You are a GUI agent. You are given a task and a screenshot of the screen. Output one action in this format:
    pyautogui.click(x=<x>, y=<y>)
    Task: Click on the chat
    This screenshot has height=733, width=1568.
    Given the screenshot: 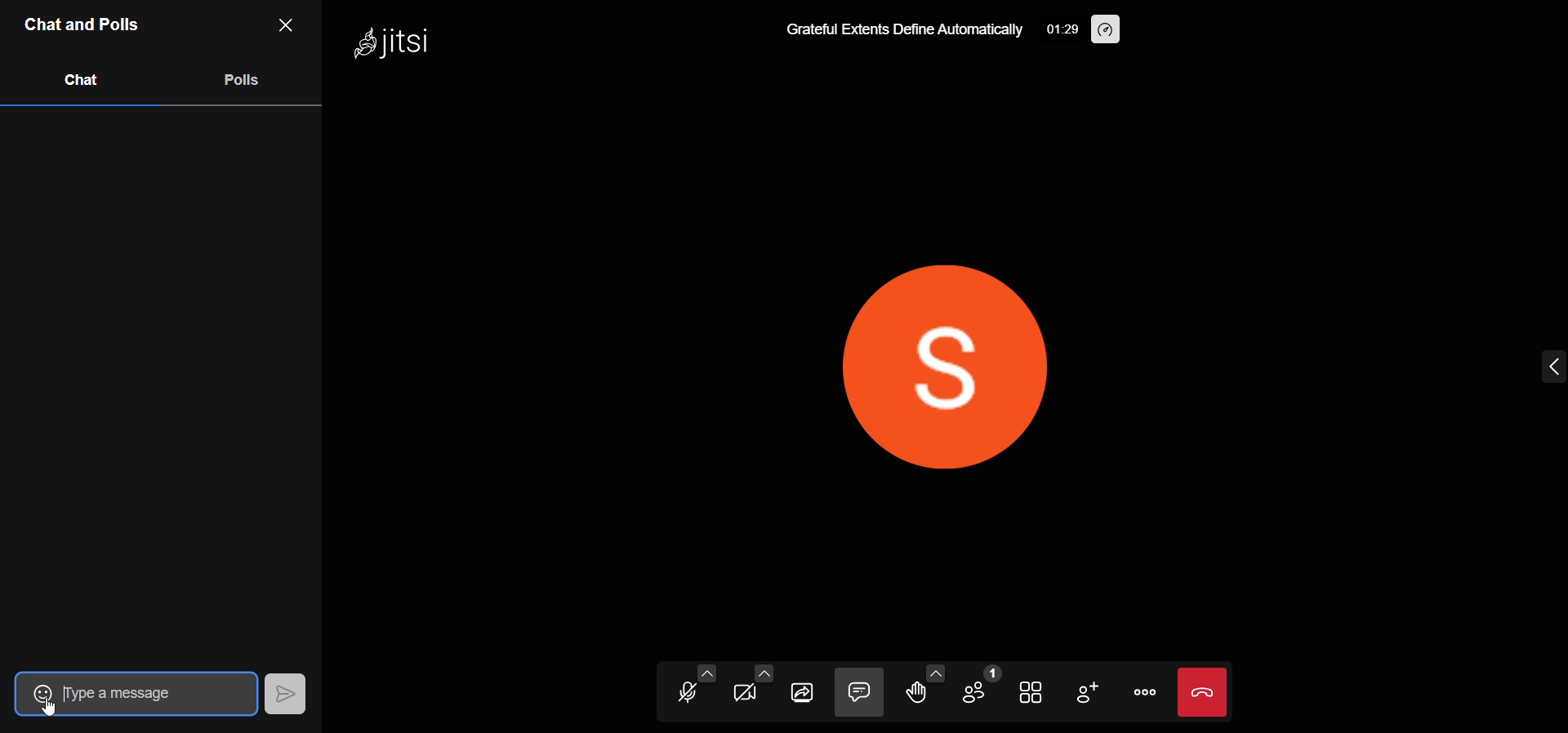 What is the action you would take?
    pyautogui.click(x=78, y=81)
    